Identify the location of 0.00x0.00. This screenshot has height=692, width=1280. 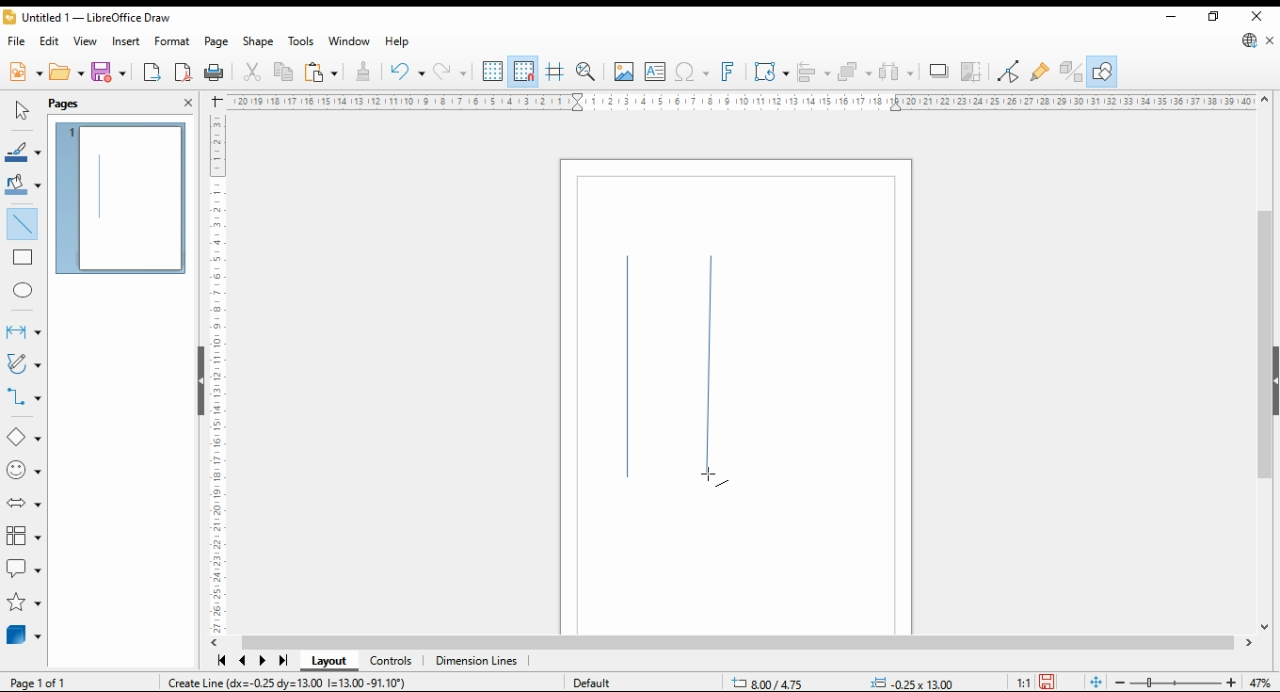
(911, 681).